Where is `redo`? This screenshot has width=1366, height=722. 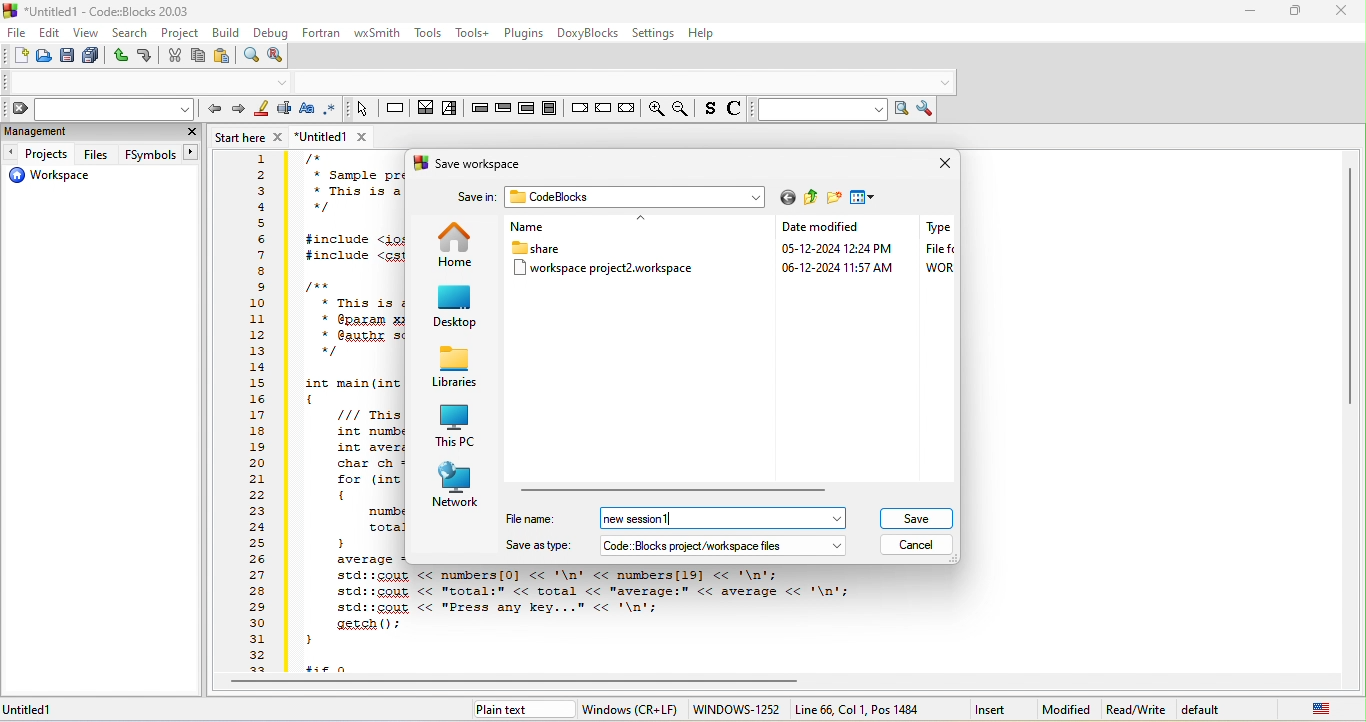 redo is located at coordinates (146, 58).